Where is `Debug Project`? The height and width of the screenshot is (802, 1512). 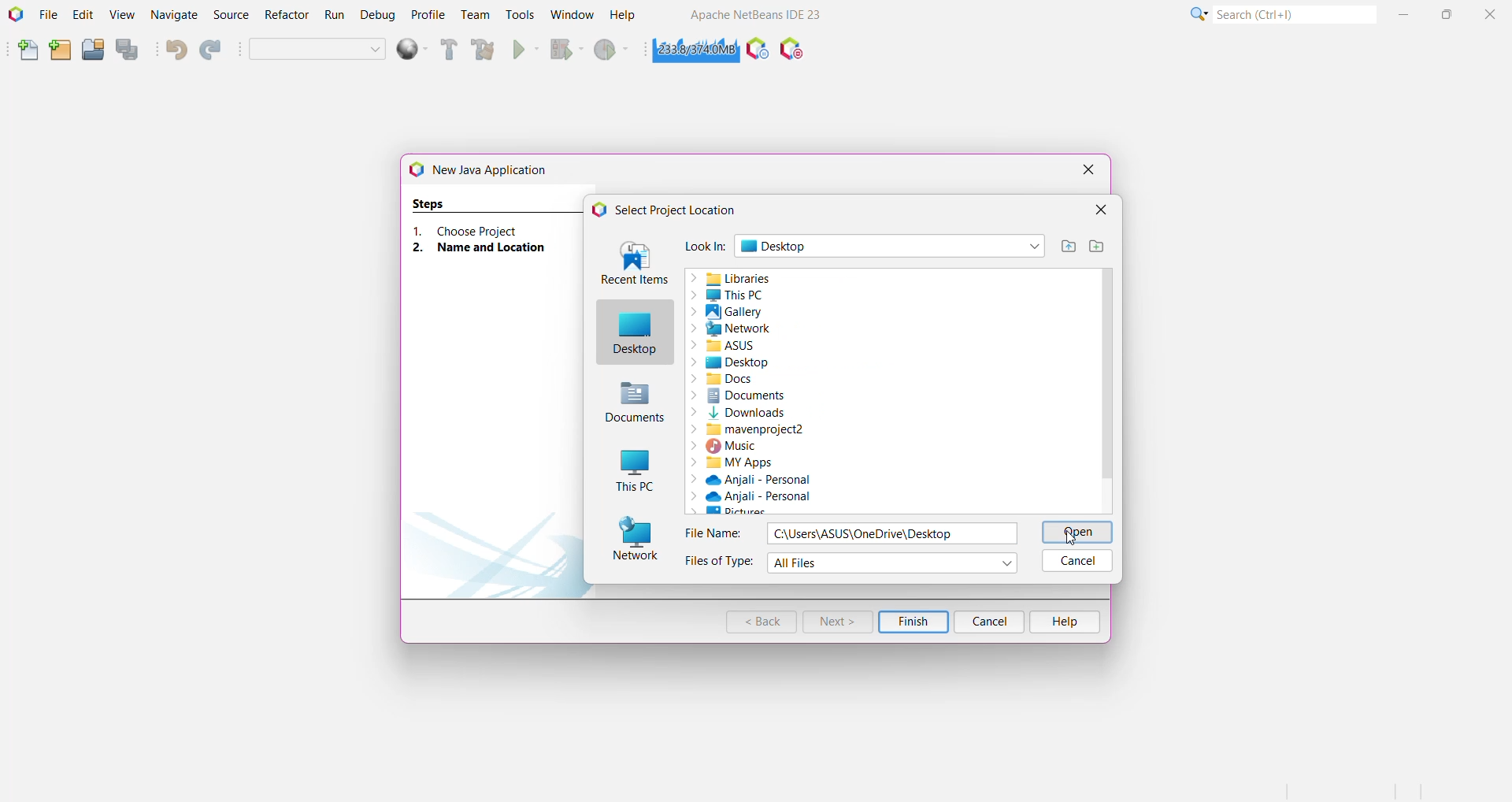
Debug Project is located at coordinates (565, 50).